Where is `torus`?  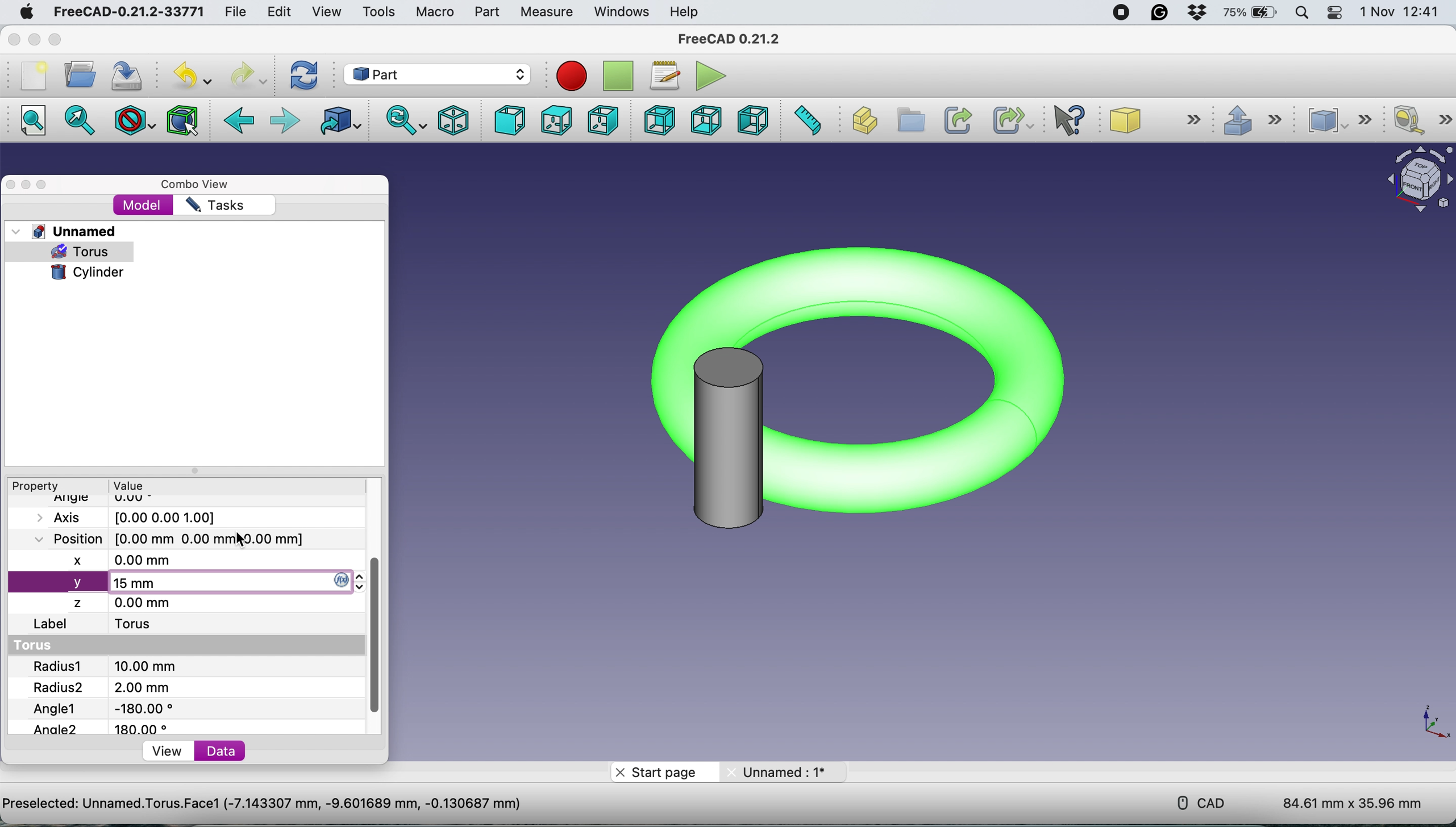
torus is located at coordinates (39, 646).